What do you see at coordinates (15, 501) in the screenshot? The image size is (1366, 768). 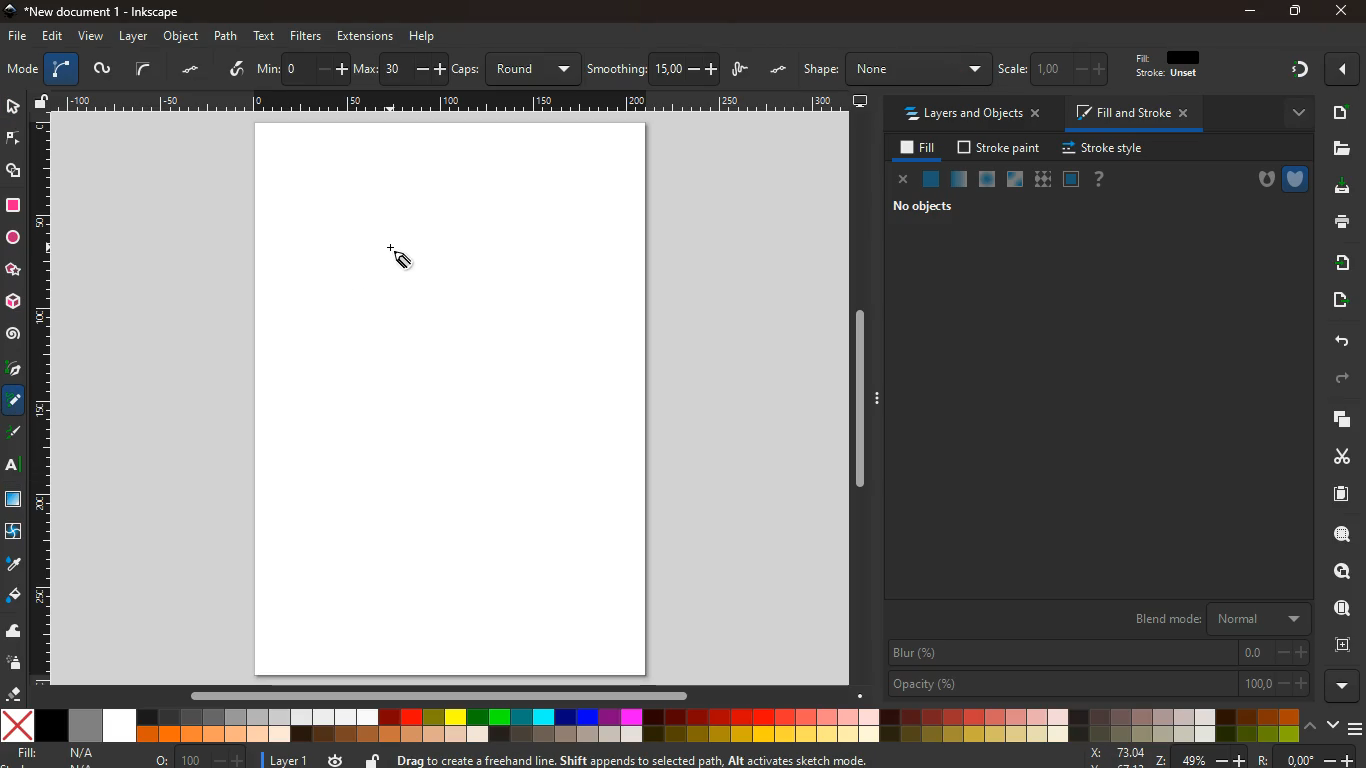 I see `imaage` at bounding box center [15, 501].